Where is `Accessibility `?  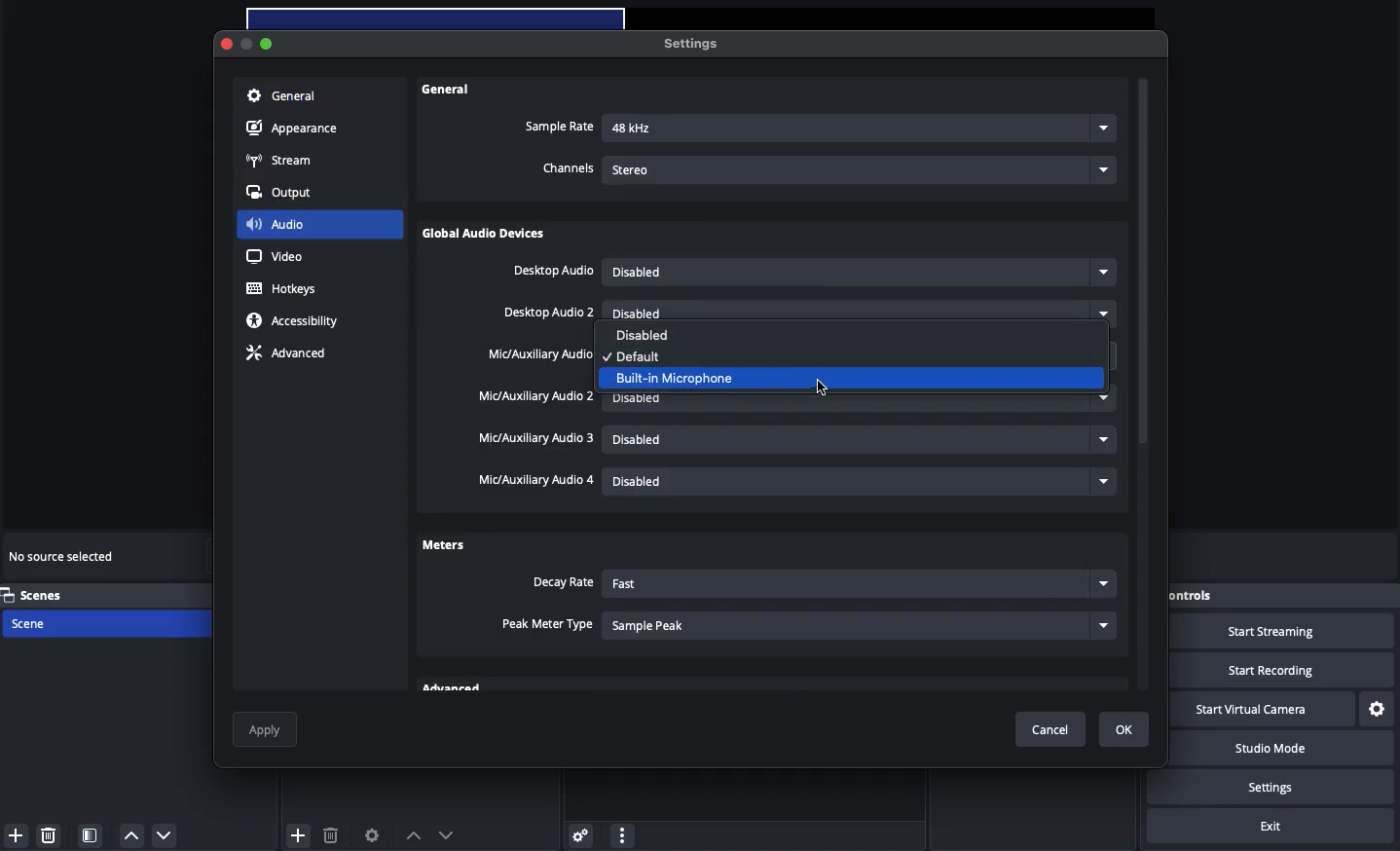
Accessibility  is located at coordinates (296, 321).